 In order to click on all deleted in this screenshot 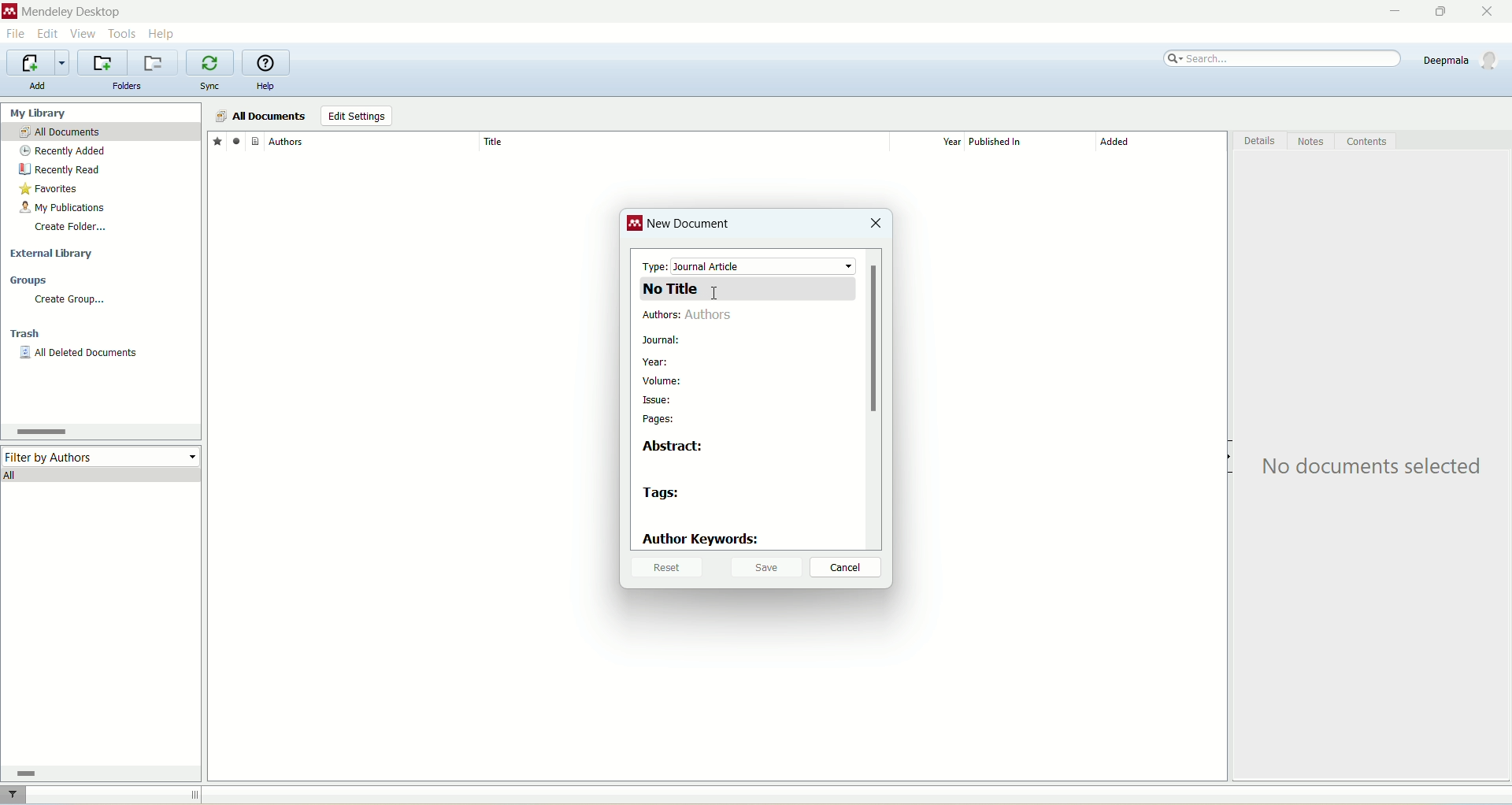, I will do `click(80, 354)`.